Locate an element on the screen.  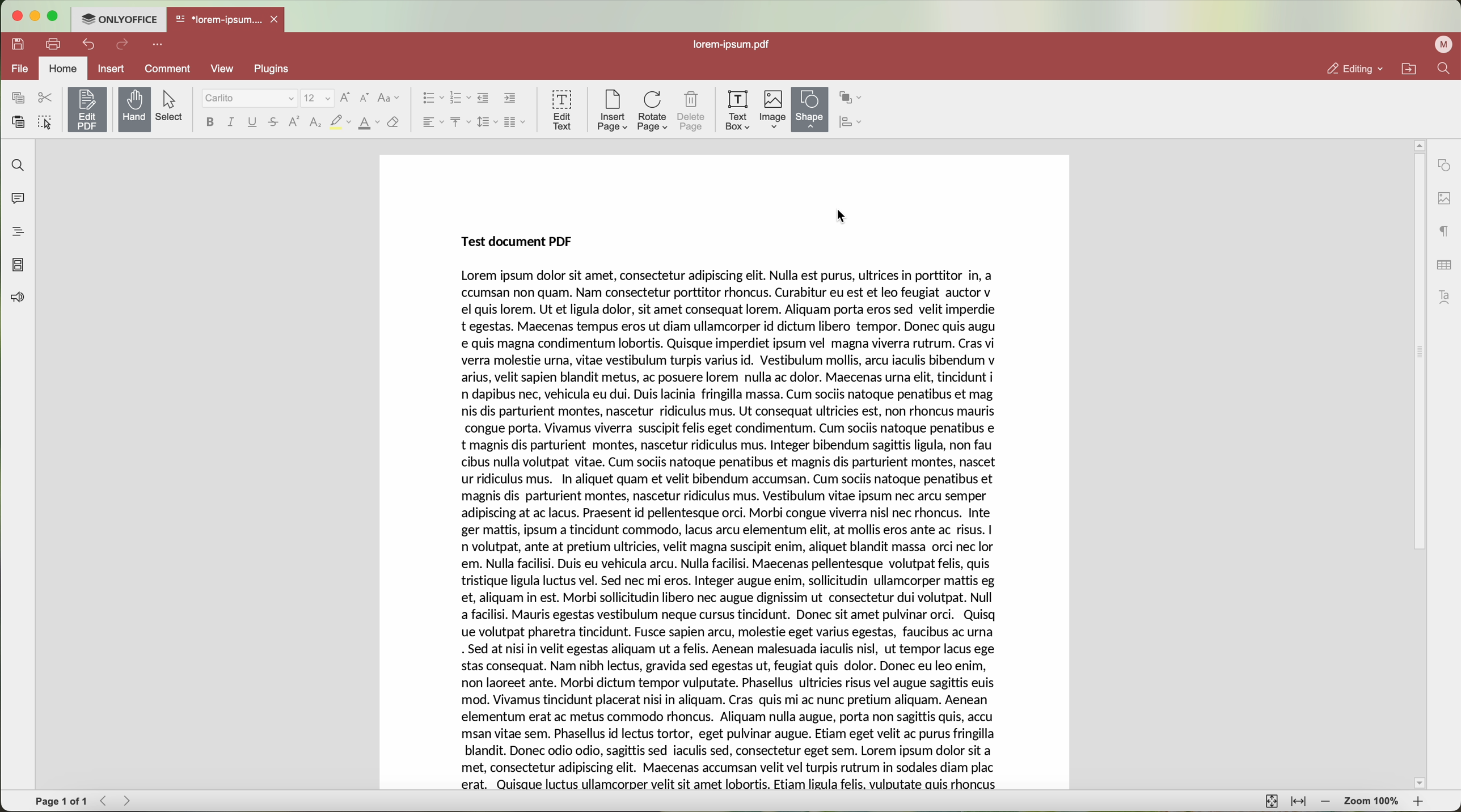
font type is located at coordinates (250, 99).